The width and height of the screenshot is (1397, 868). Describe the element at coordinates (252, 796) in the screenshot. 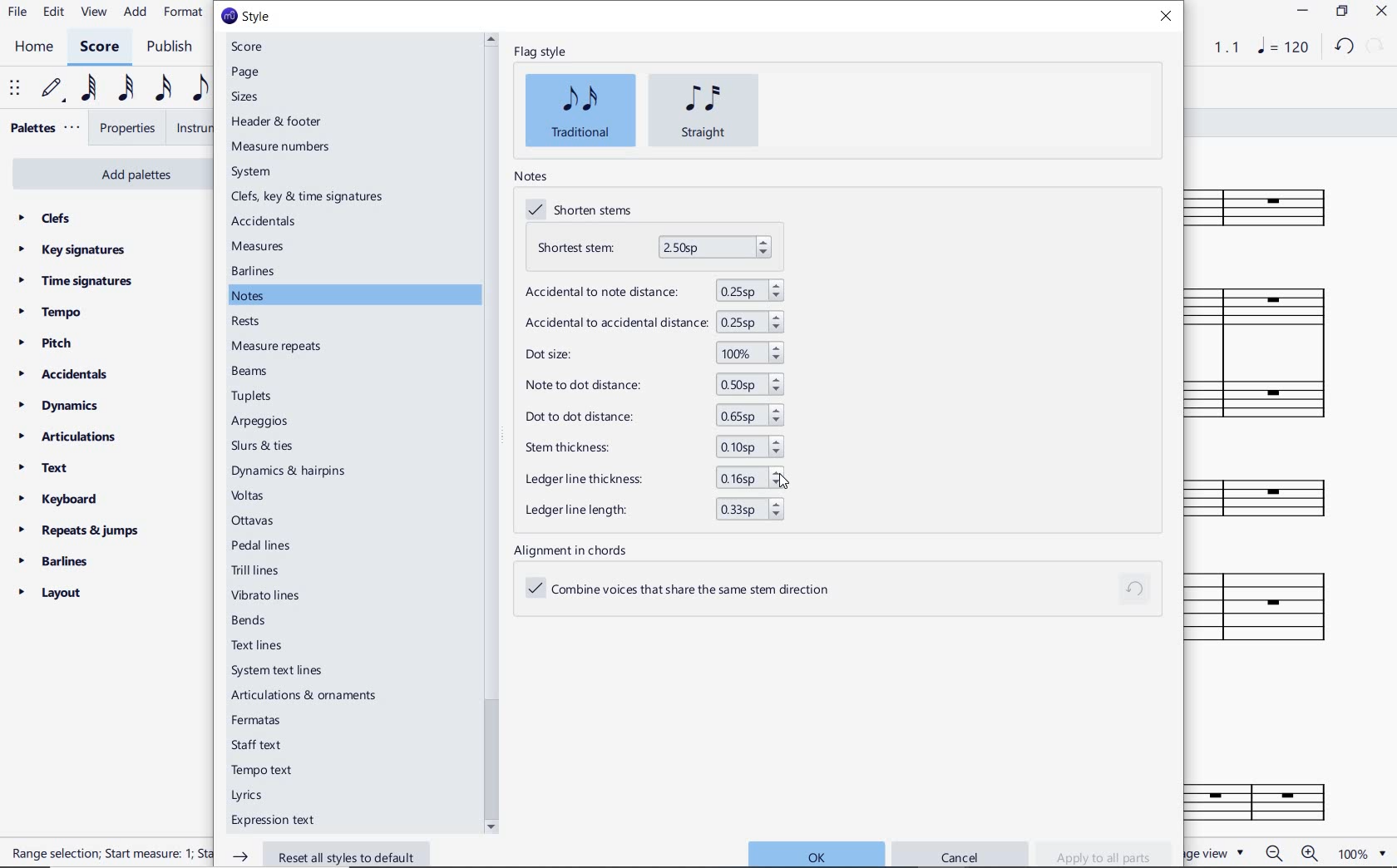

I see `lyrics` at that location.